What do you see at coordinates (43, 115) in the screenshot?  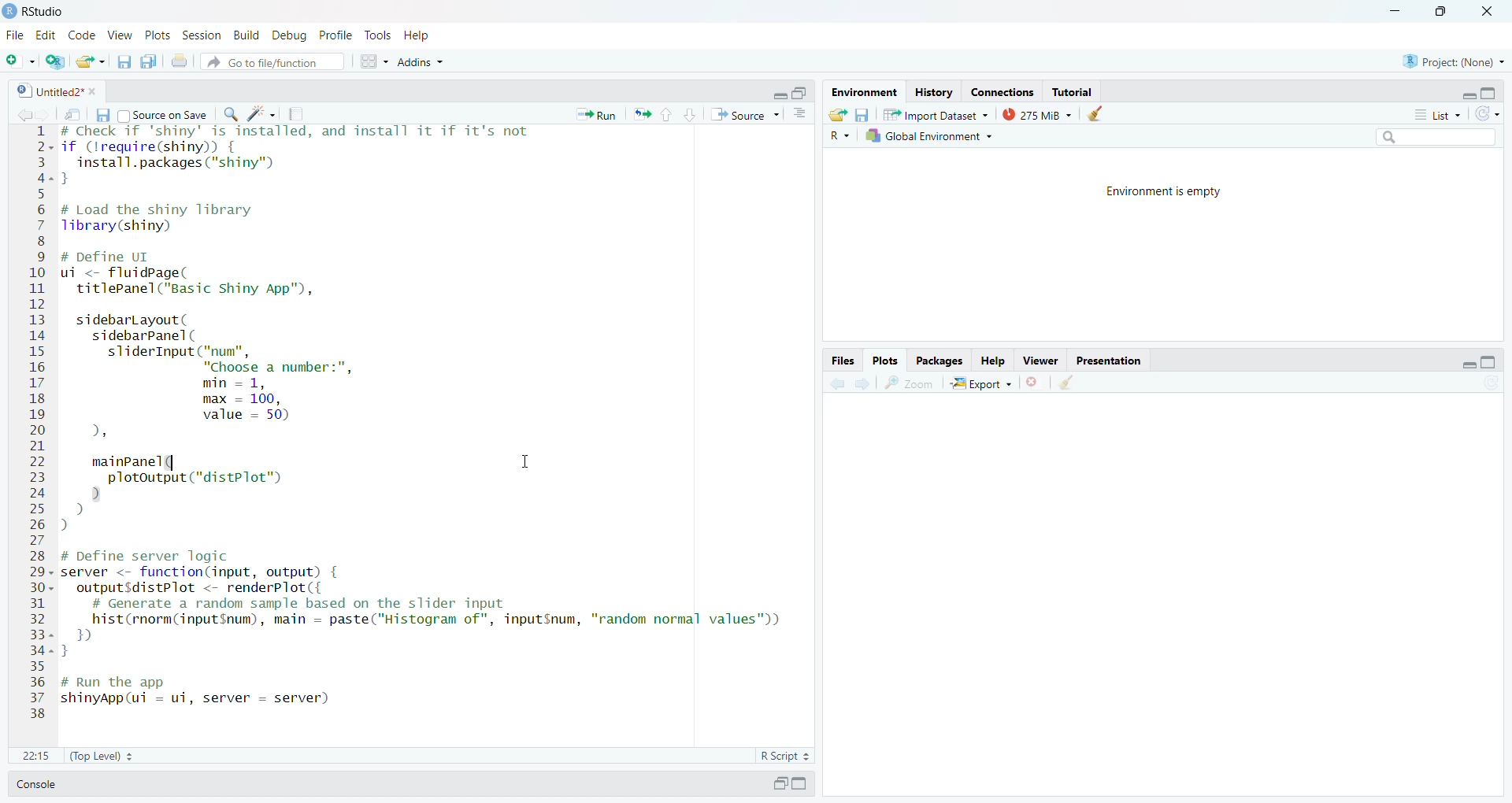 I see `forward` at bounding box center [43, 115].